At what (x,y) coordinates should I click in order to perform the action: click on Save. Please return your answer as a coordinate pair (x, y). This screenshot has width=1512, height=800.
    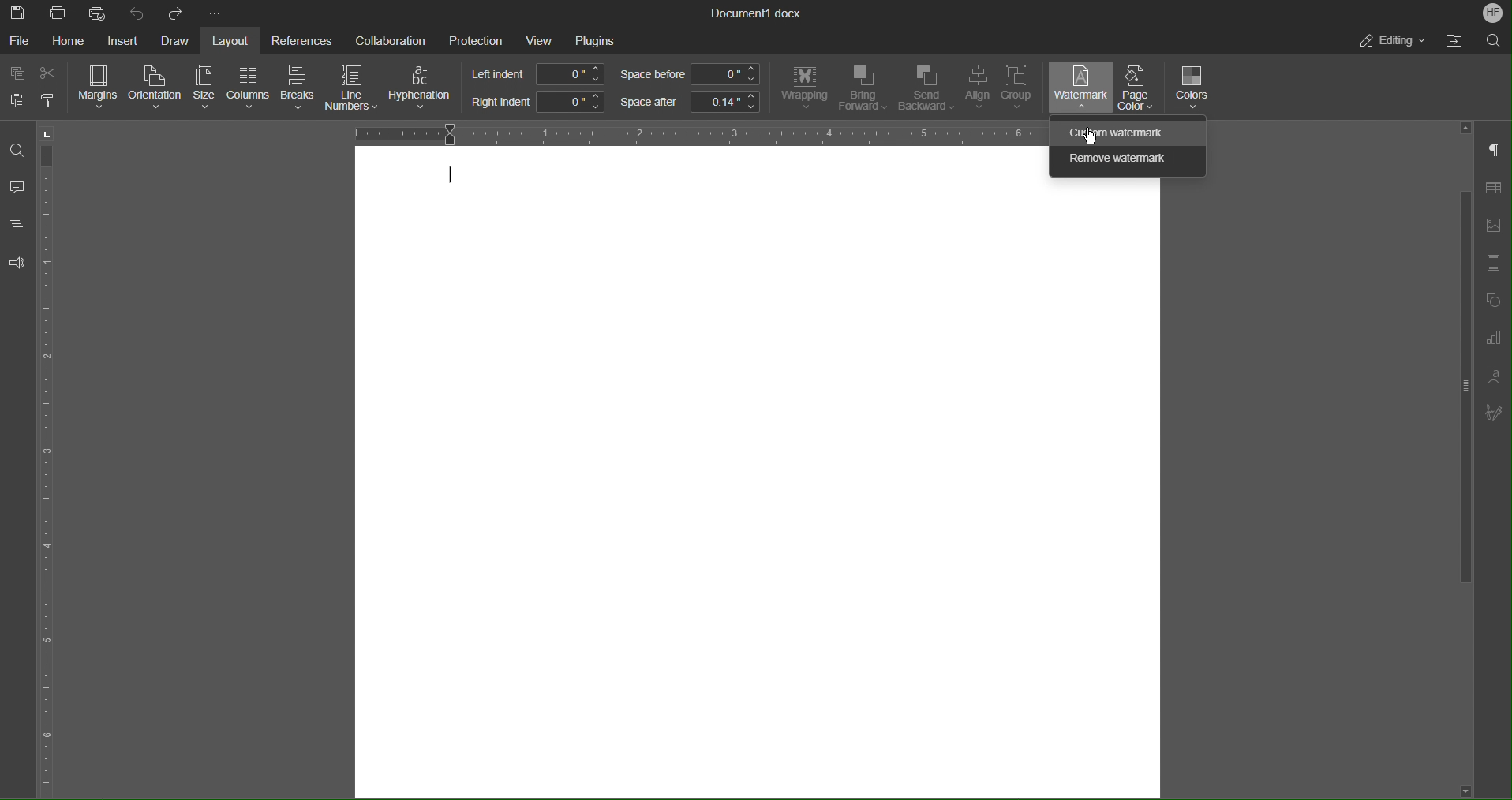
    Looking at the image, I should click on (19, 13).